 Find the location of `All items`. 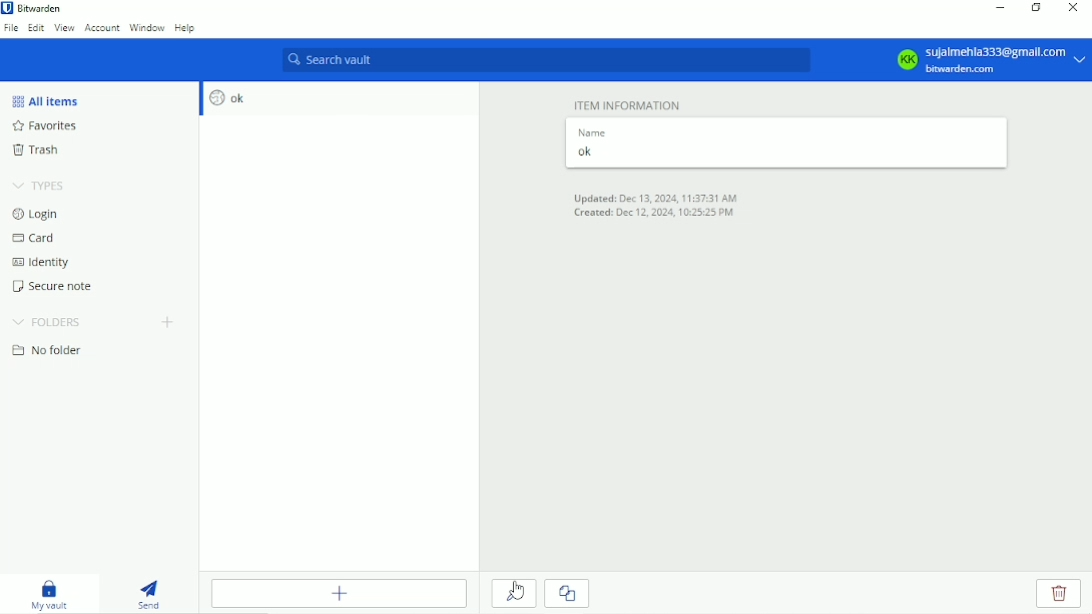

All items is located at coordinates (46, 101).